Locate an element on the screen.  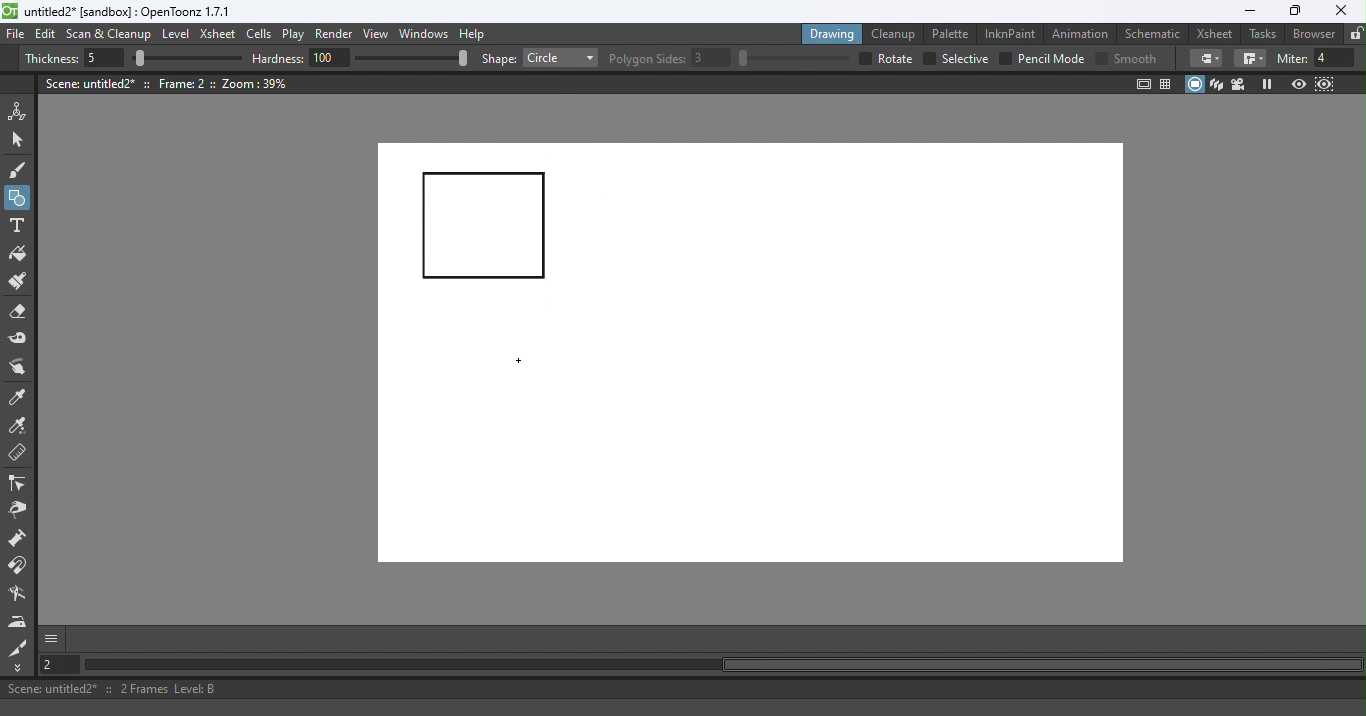
Thickness is located at coordinates (51, 59).